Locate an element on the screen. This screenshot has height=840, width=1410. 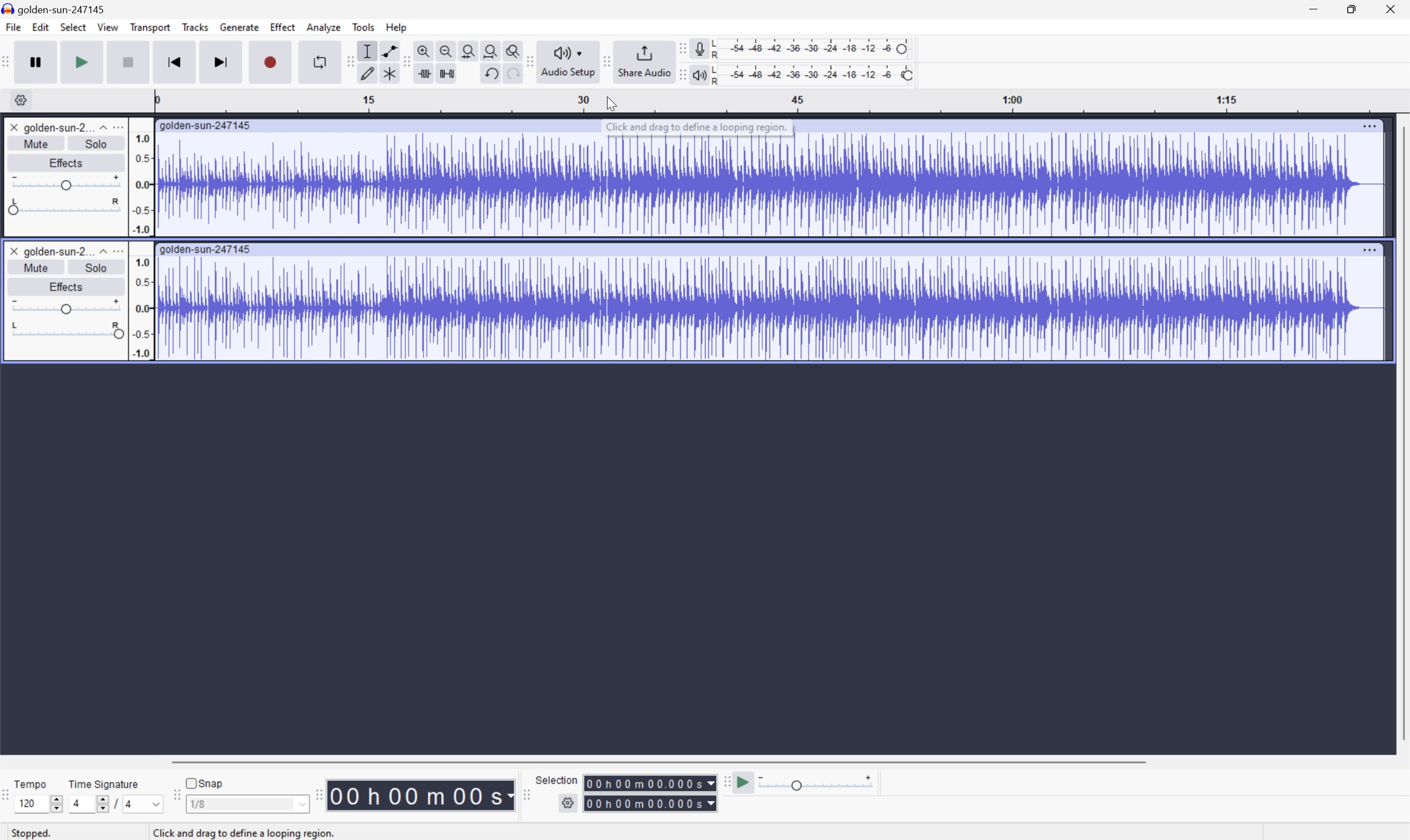
Recording level: 62% is located at coordinates (813, 47).